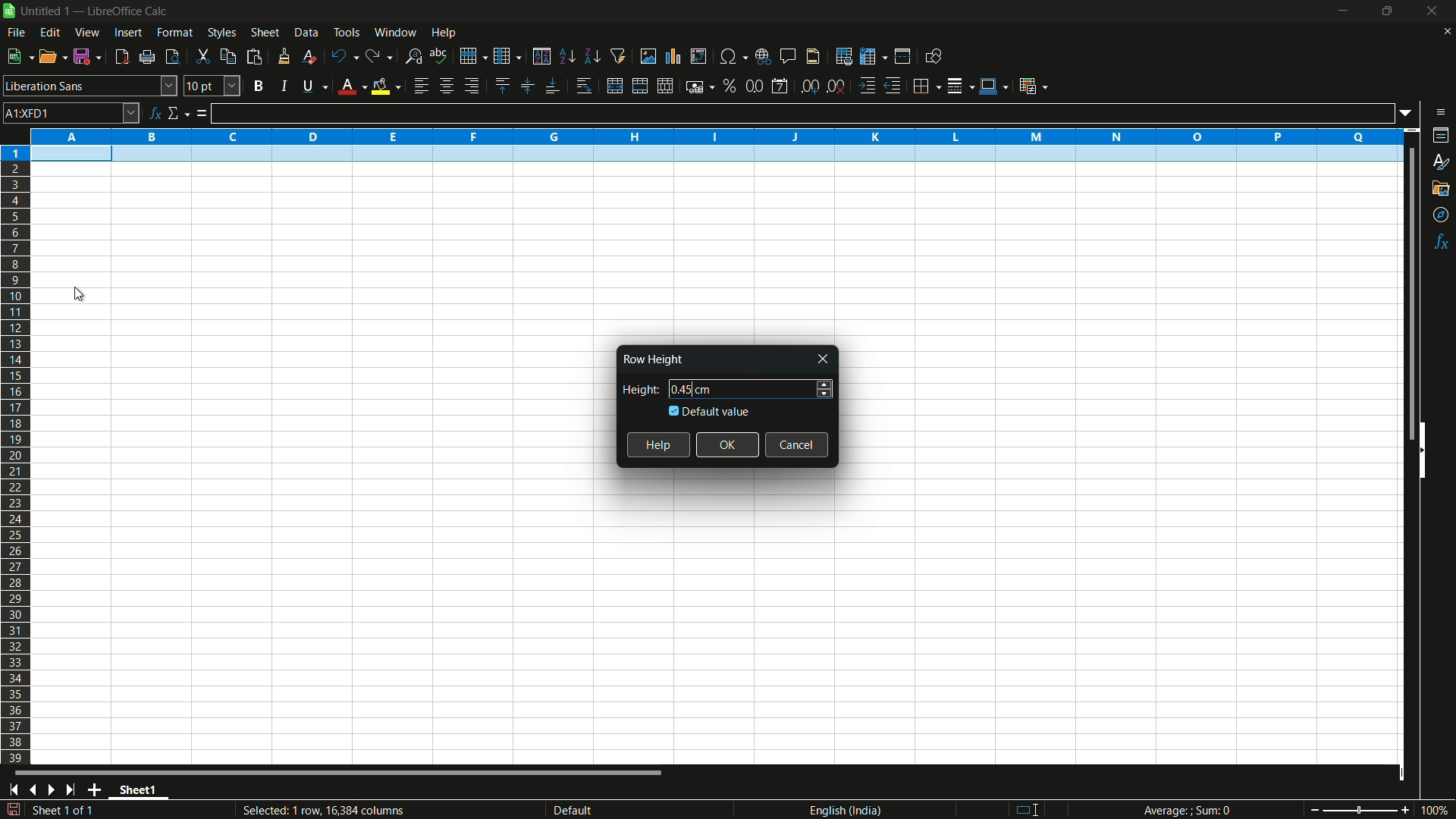 The height and width of the screenshot is (819, 1456). What do you see at coordinates (1442, 135) in the screenshot?
I see `properties` at bounding box center [1442, 135].